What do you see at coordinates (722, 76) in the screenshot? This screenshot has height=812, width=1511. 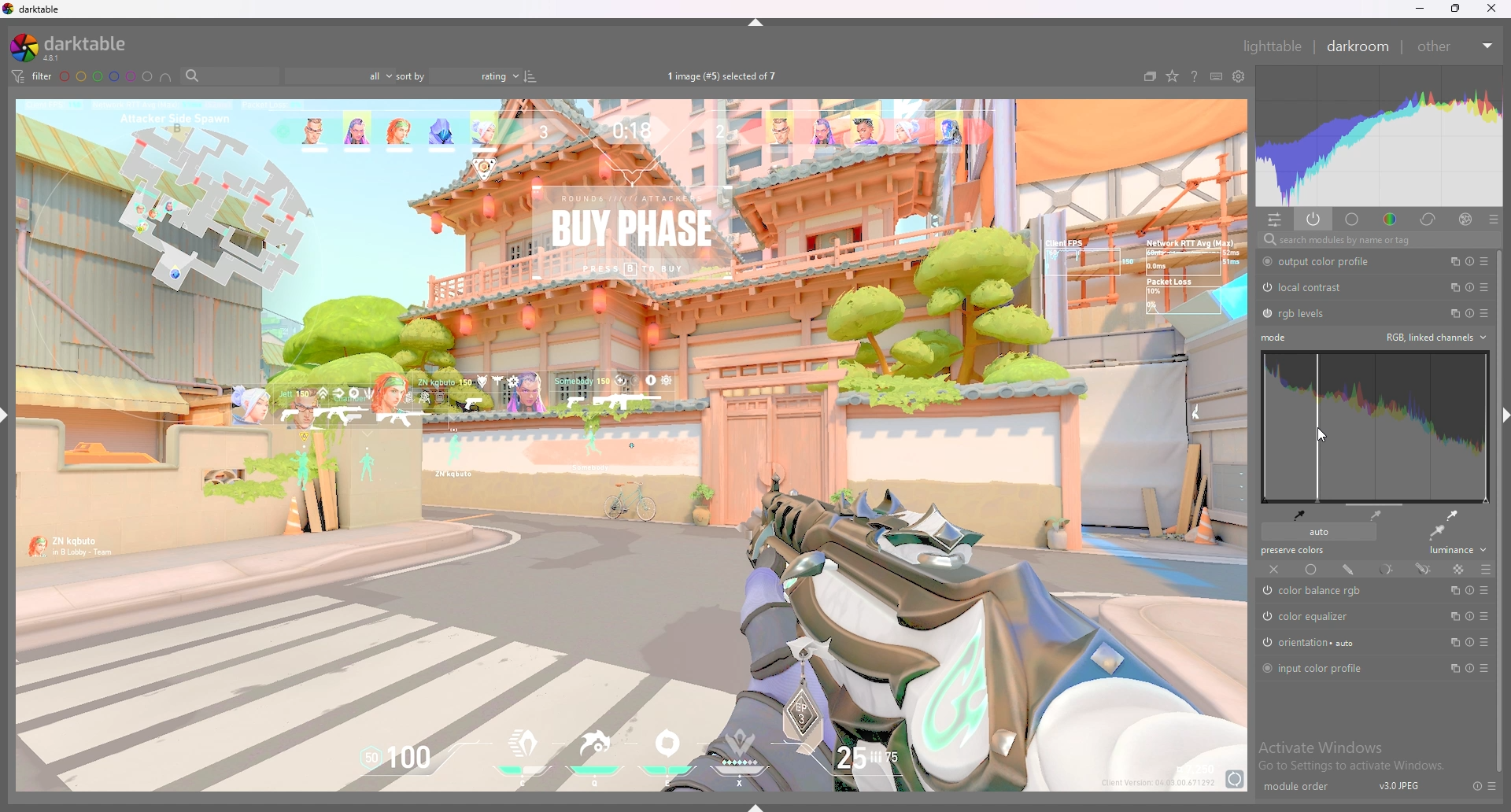 I see `images selected` at bounding box center [722, 76].